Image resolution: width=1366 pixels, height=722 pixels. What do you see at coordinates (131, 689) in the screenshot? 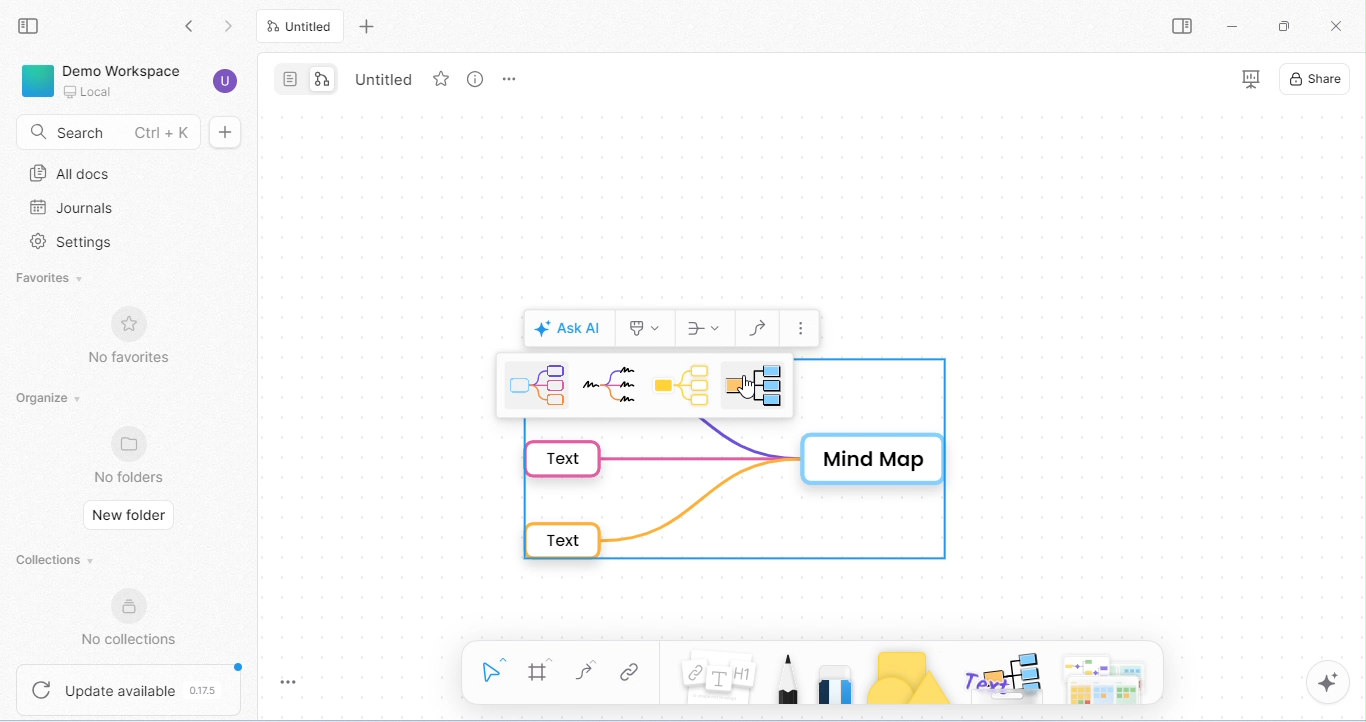
I see `update` at bounding box center [131, 689].